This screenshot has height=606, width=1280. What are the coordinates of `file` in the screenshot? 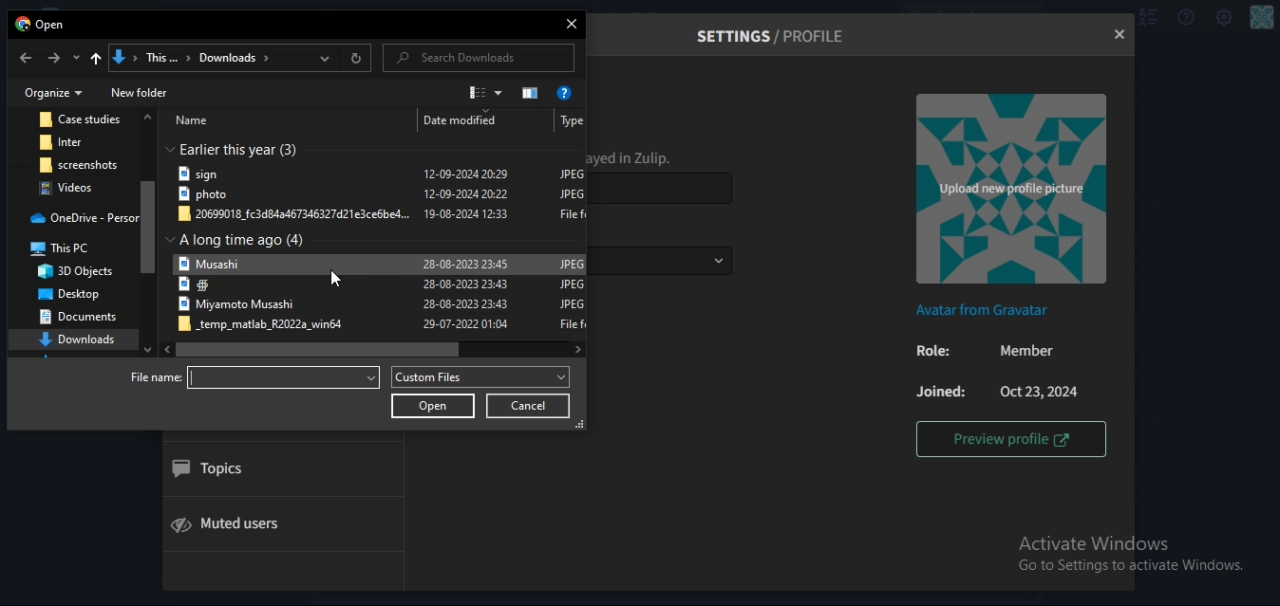 It's located at (382, 264).